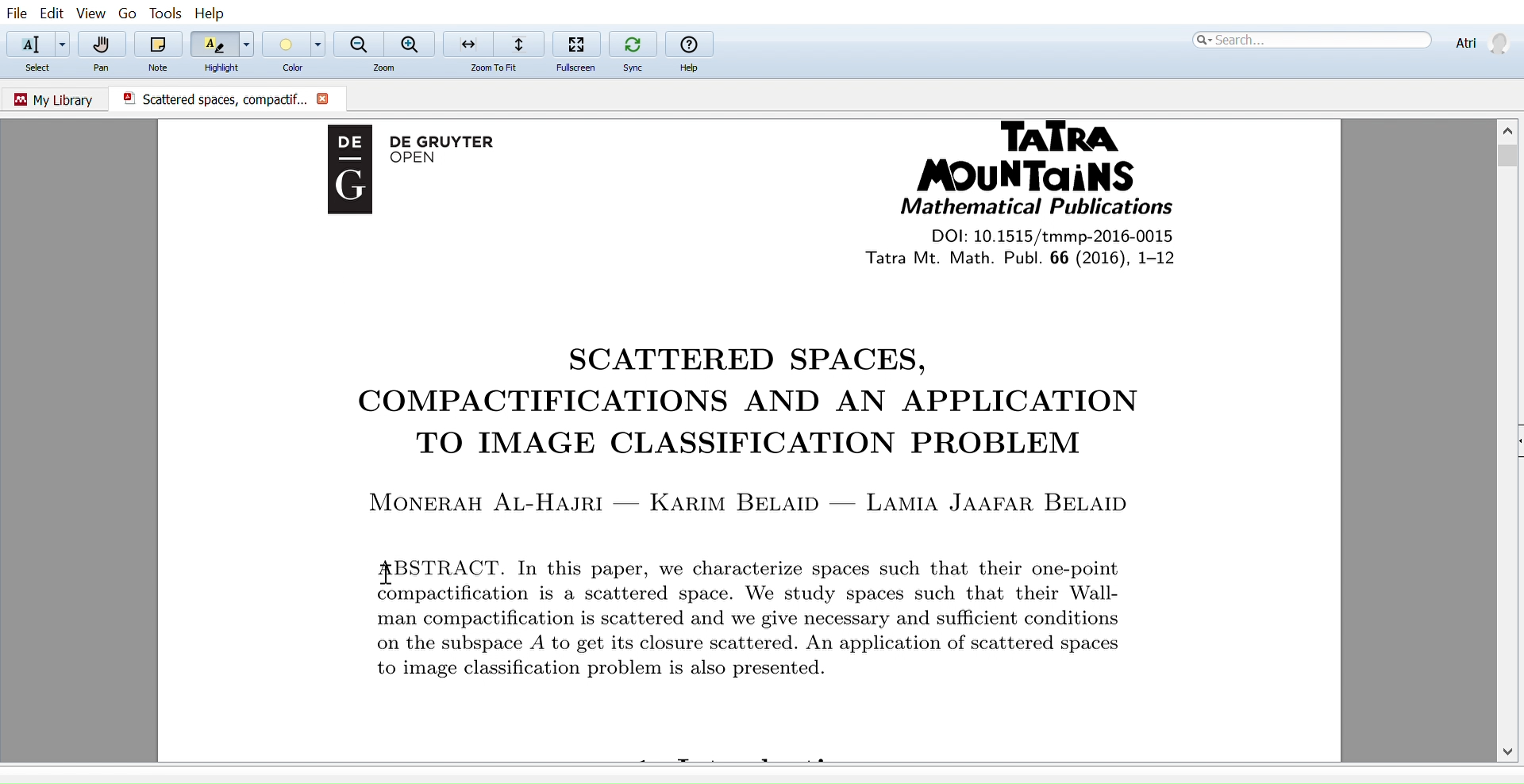 This screenshot has height=784, width=1524. I want to click on Logo, so click(344, 180).